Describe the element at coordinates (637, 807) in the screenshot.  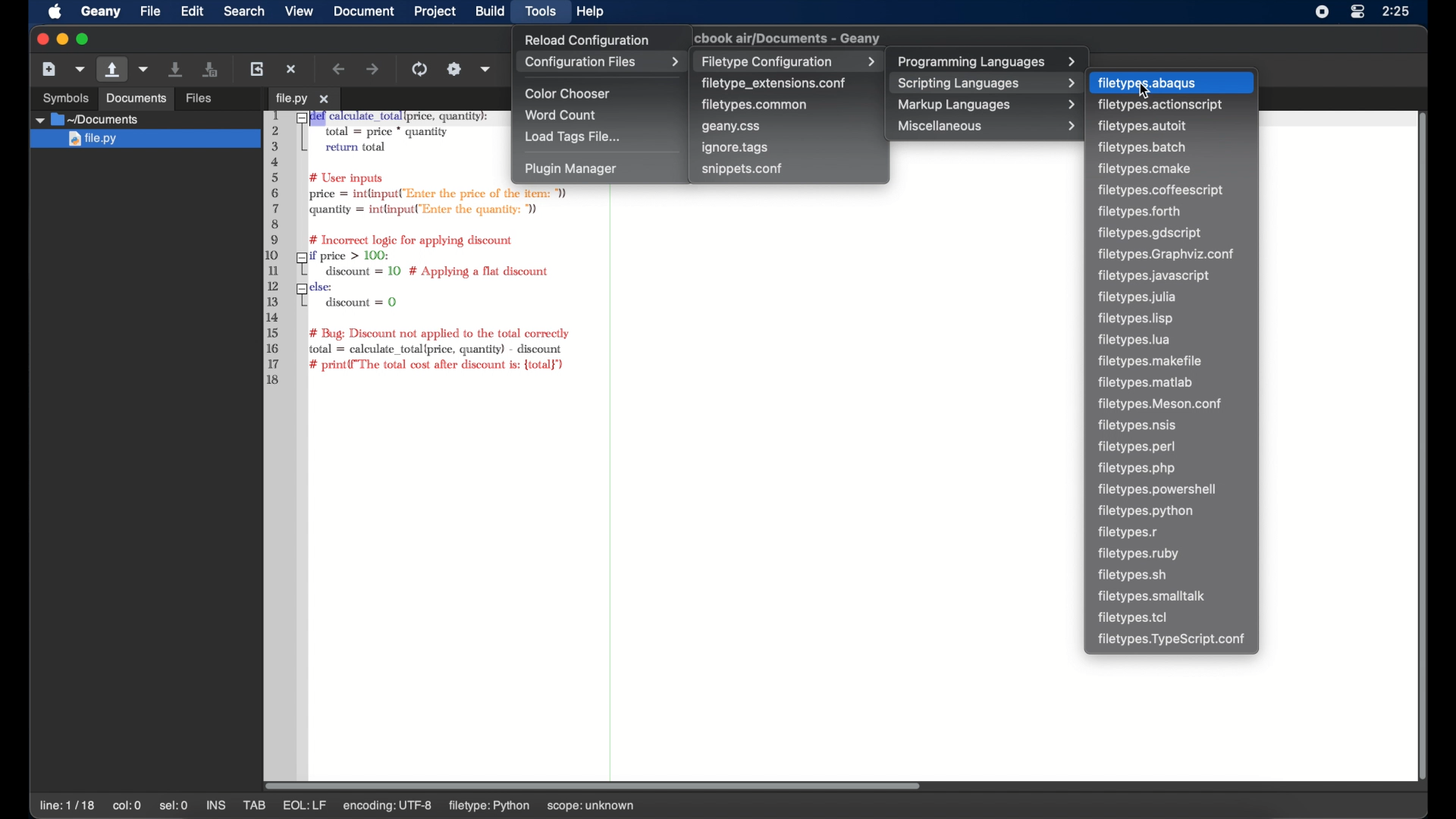
I see `scope: unknown` at that location.